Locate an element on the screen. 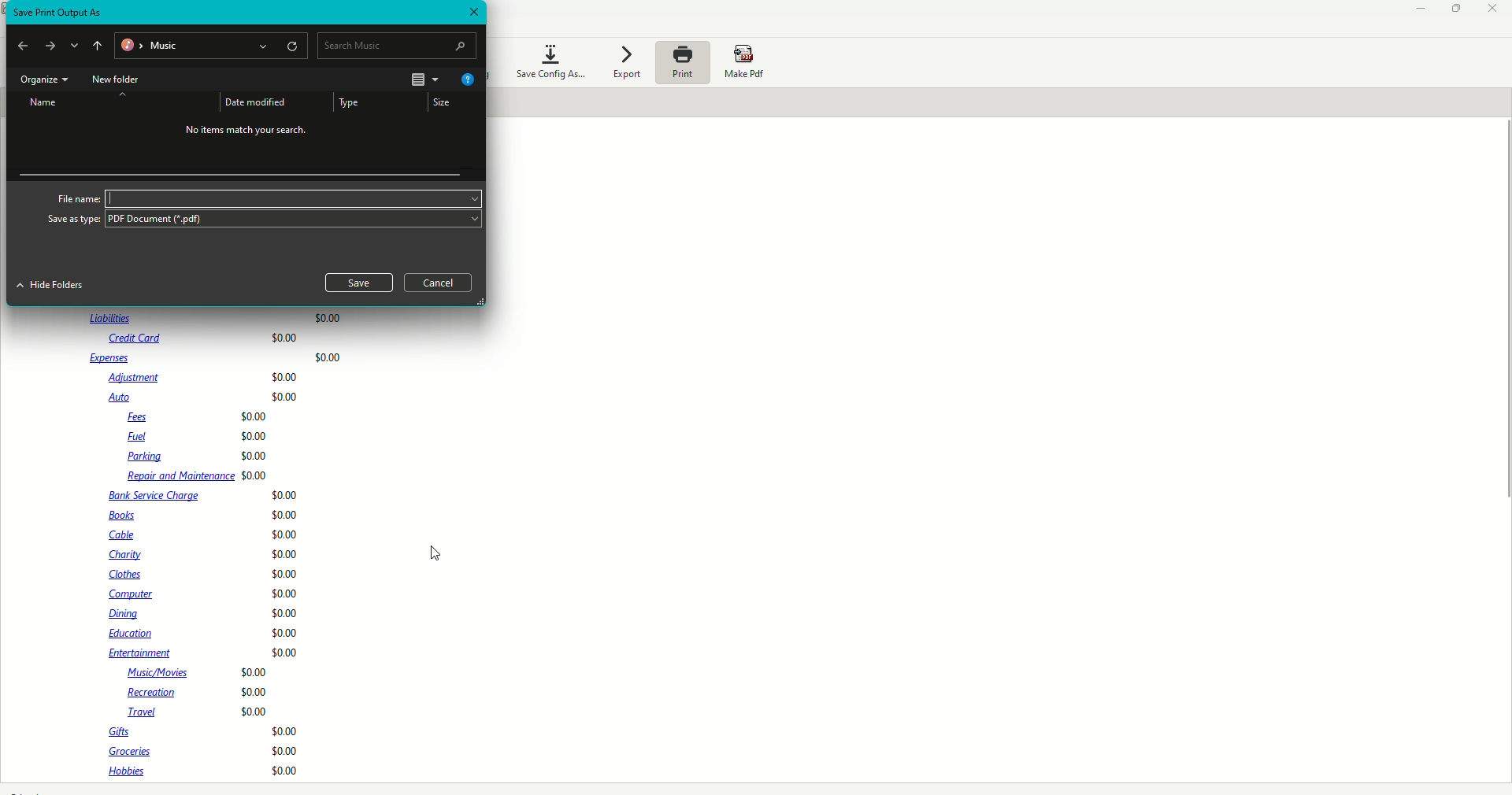 The width and height of the screenshot is (1512, 795). Restore is located at coordinates (1458, 8).